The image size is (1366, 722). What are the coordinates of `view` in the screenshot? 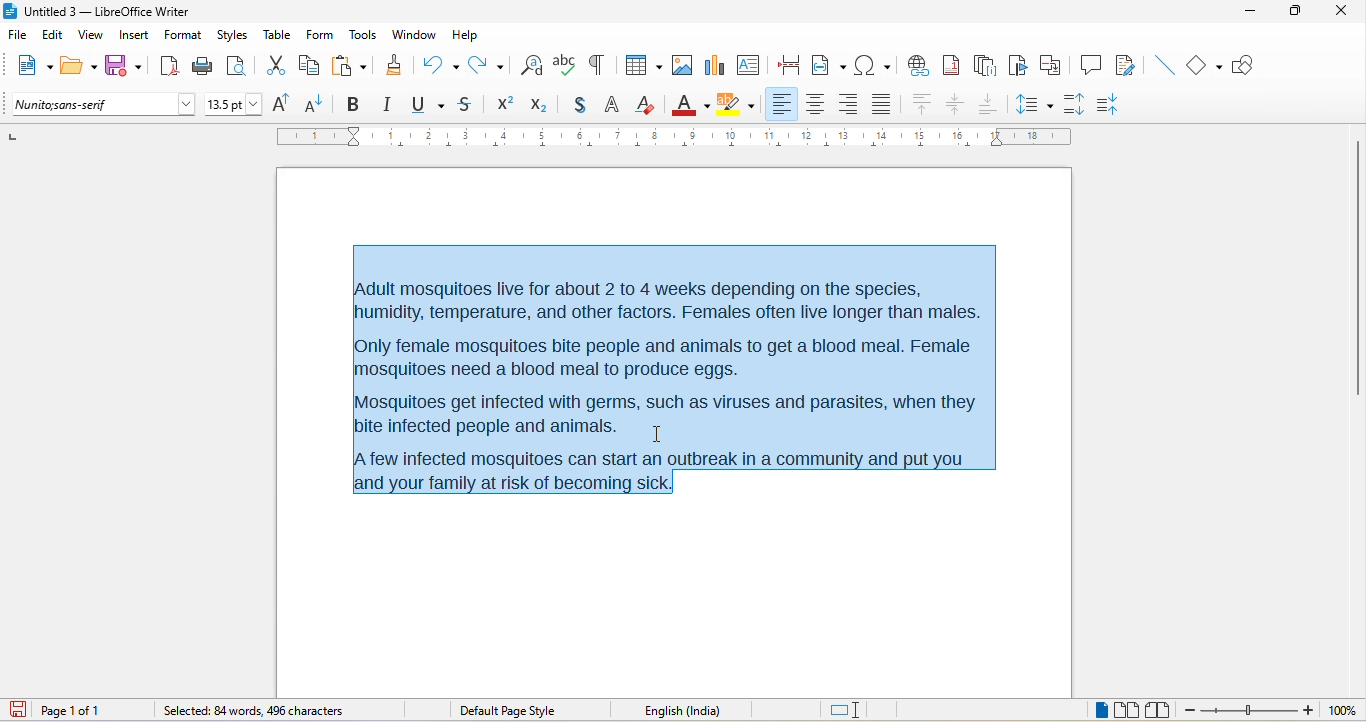 It's located at (91, 38).